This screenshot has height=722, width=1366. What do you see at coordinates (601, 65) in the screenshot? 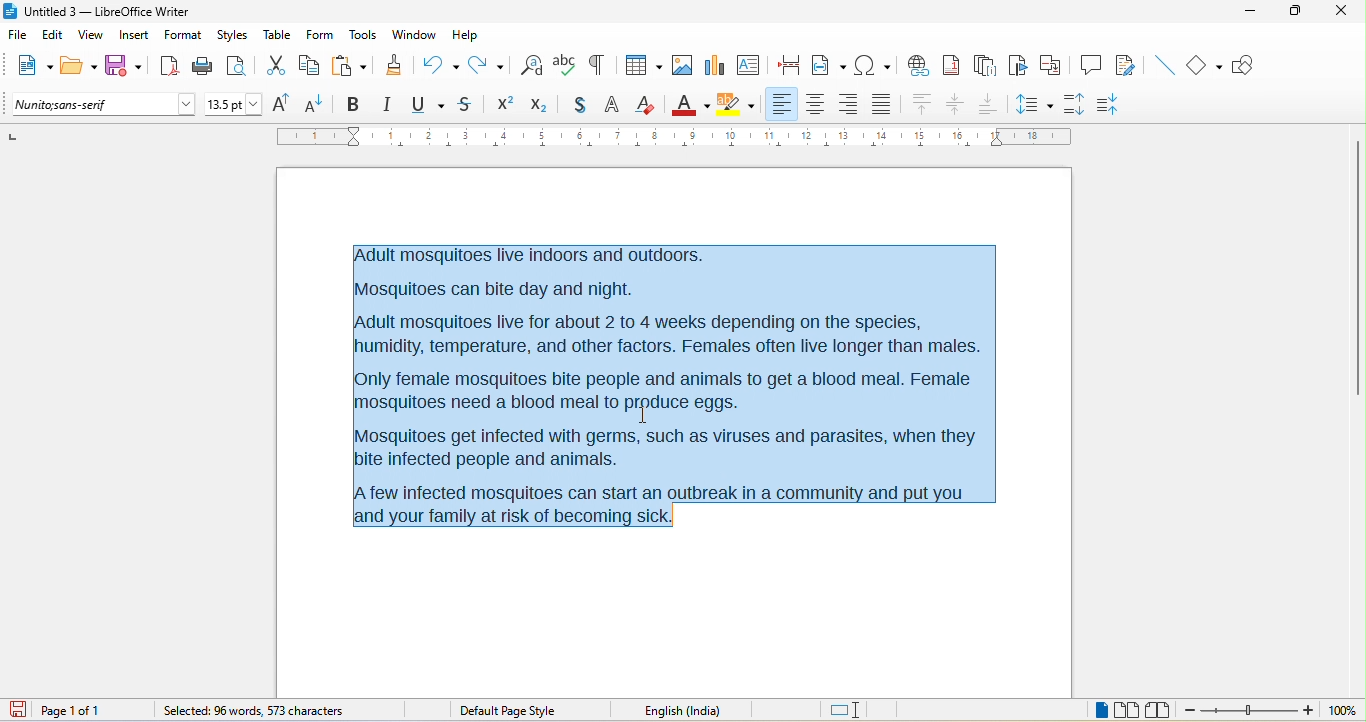
I see `toggle formatting marks` at bounding box center [601, 65].